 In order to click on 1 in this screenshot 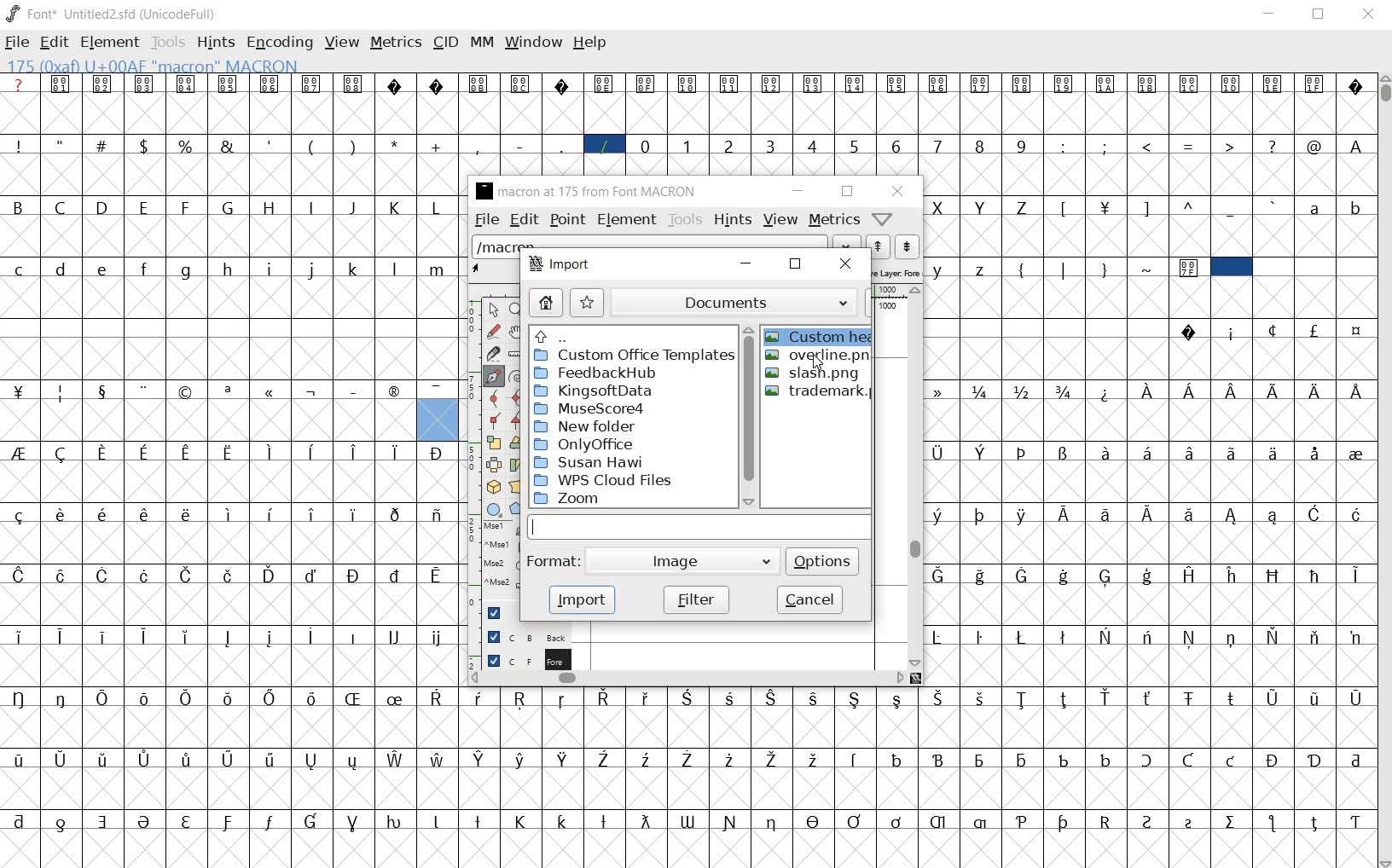, I will do `click(688, 144)`.